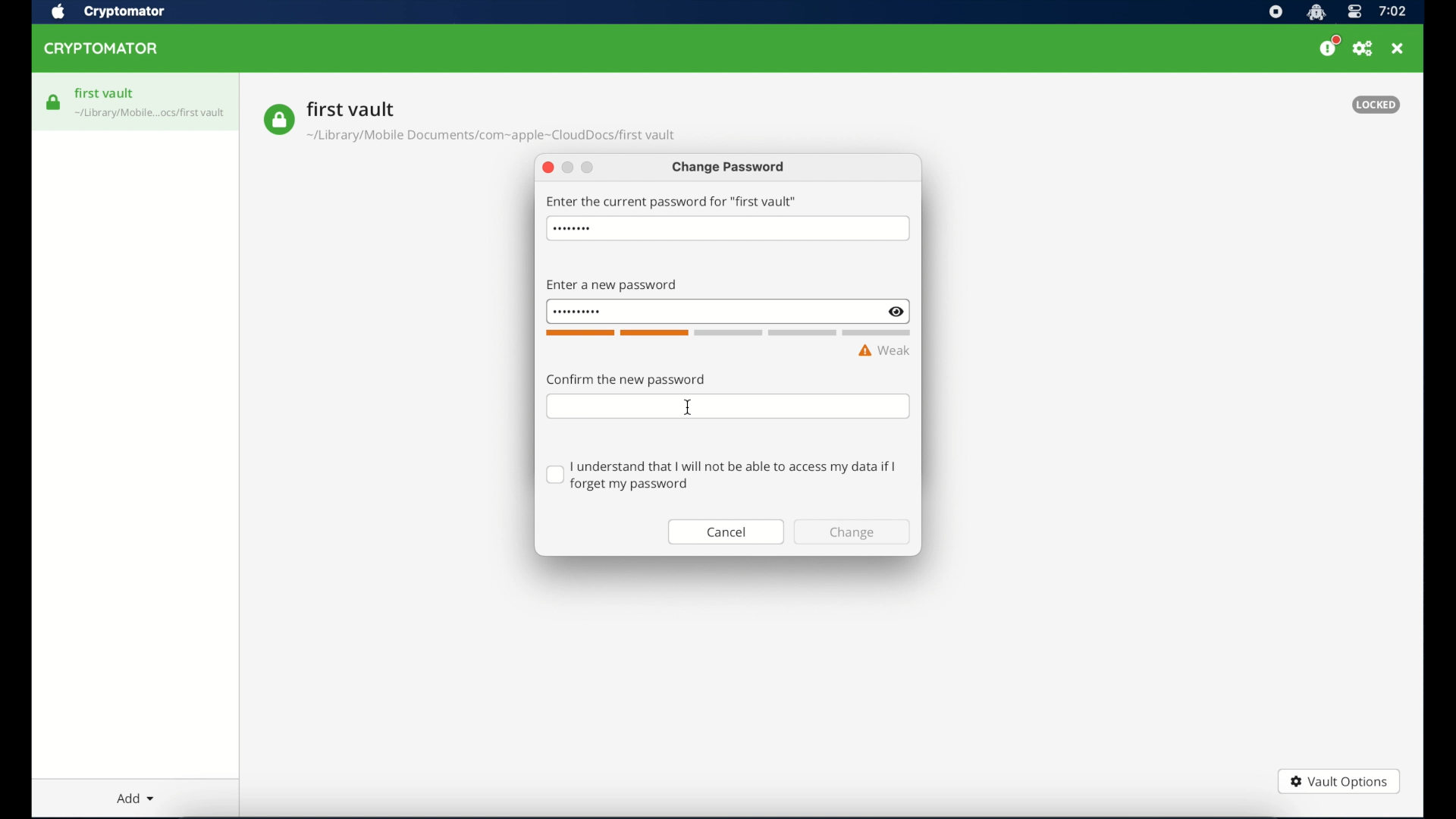  What do you see at coordinates (728, 407) in the screenshot?
I see `confirm password field` at bounding box center [728, 407].